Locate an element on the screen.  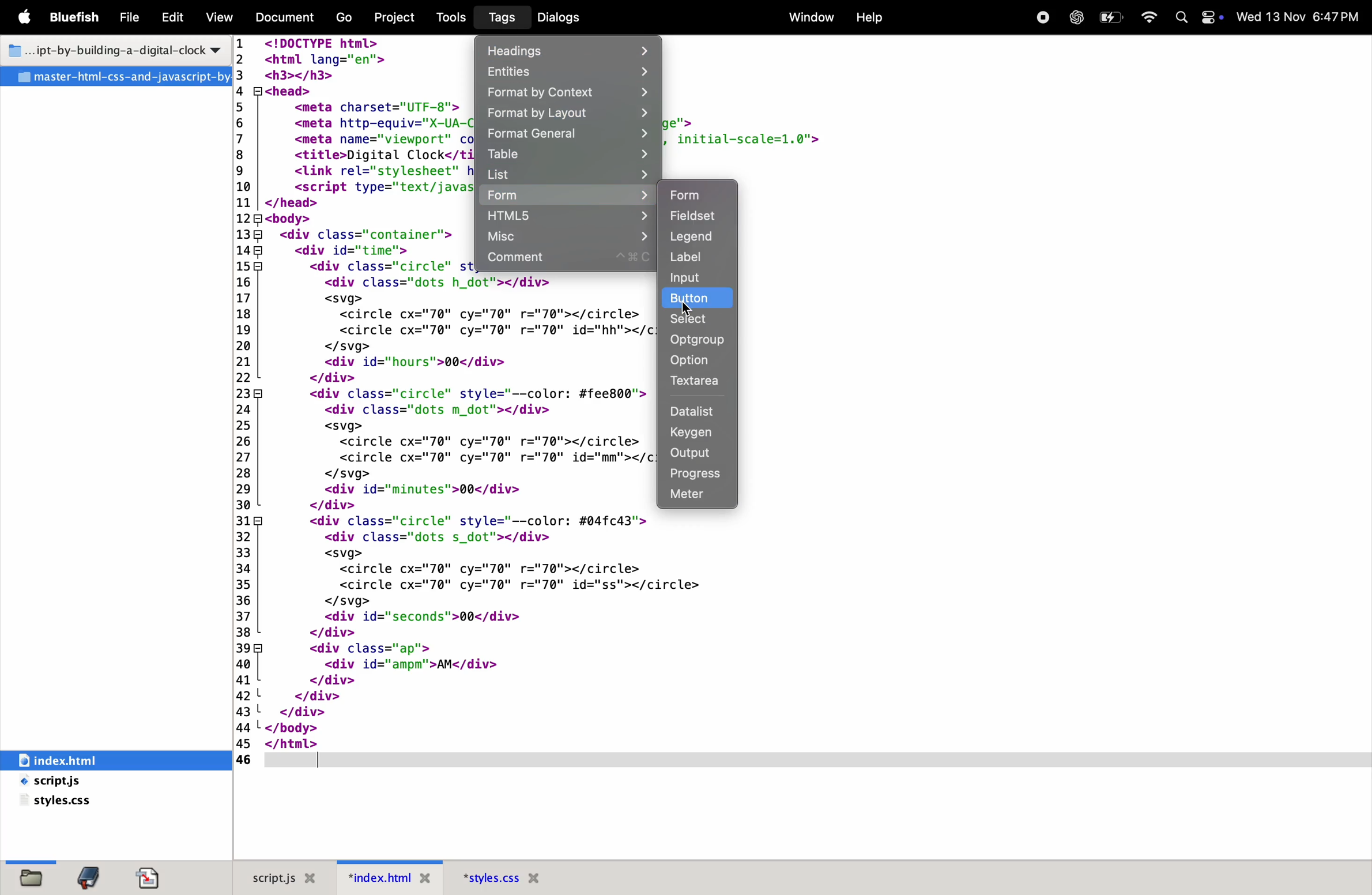
View is located at coordinates (220, 17).